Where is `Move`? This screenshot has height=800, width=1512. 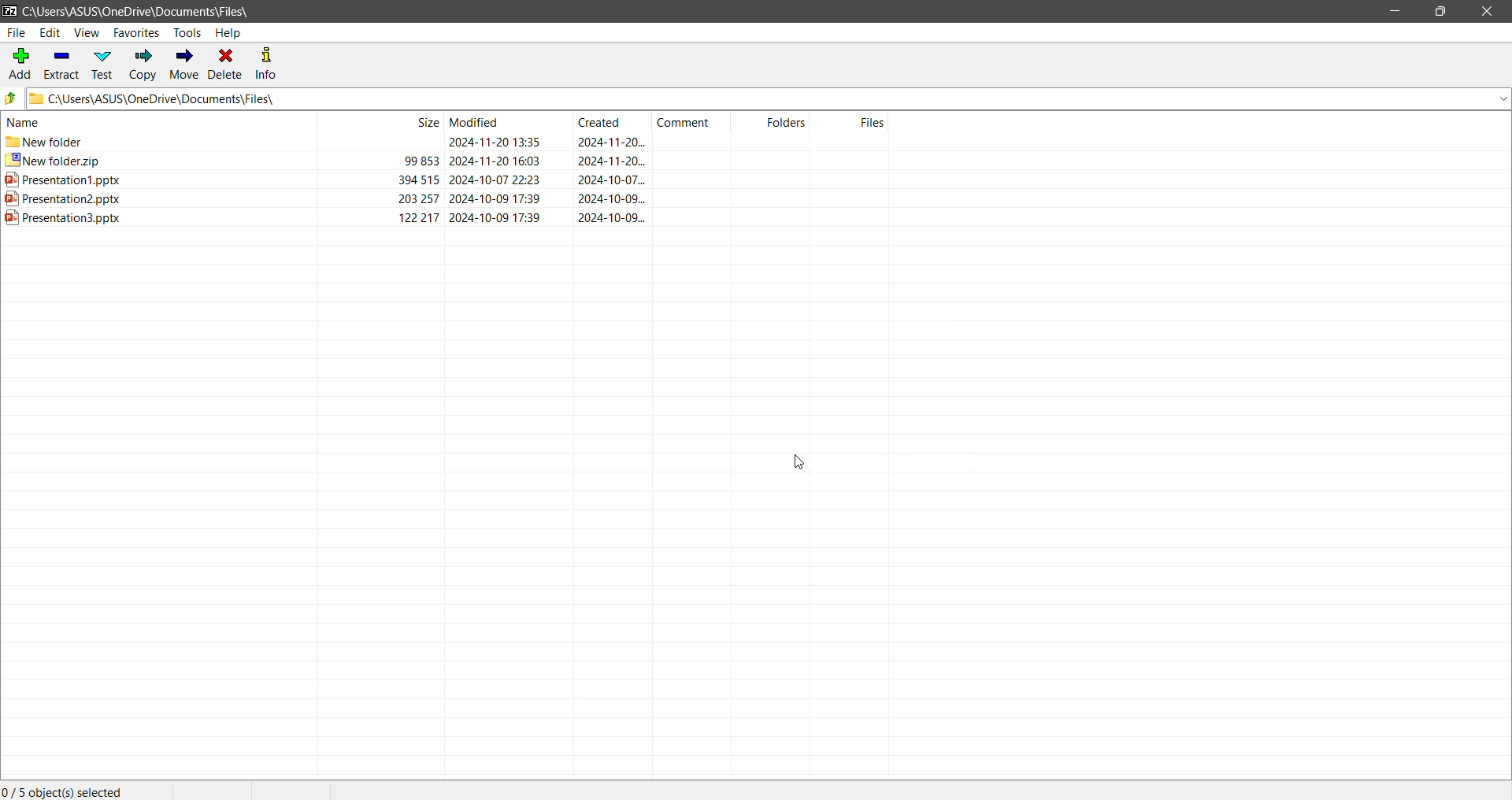 Move is located at coordinates (184, 65).